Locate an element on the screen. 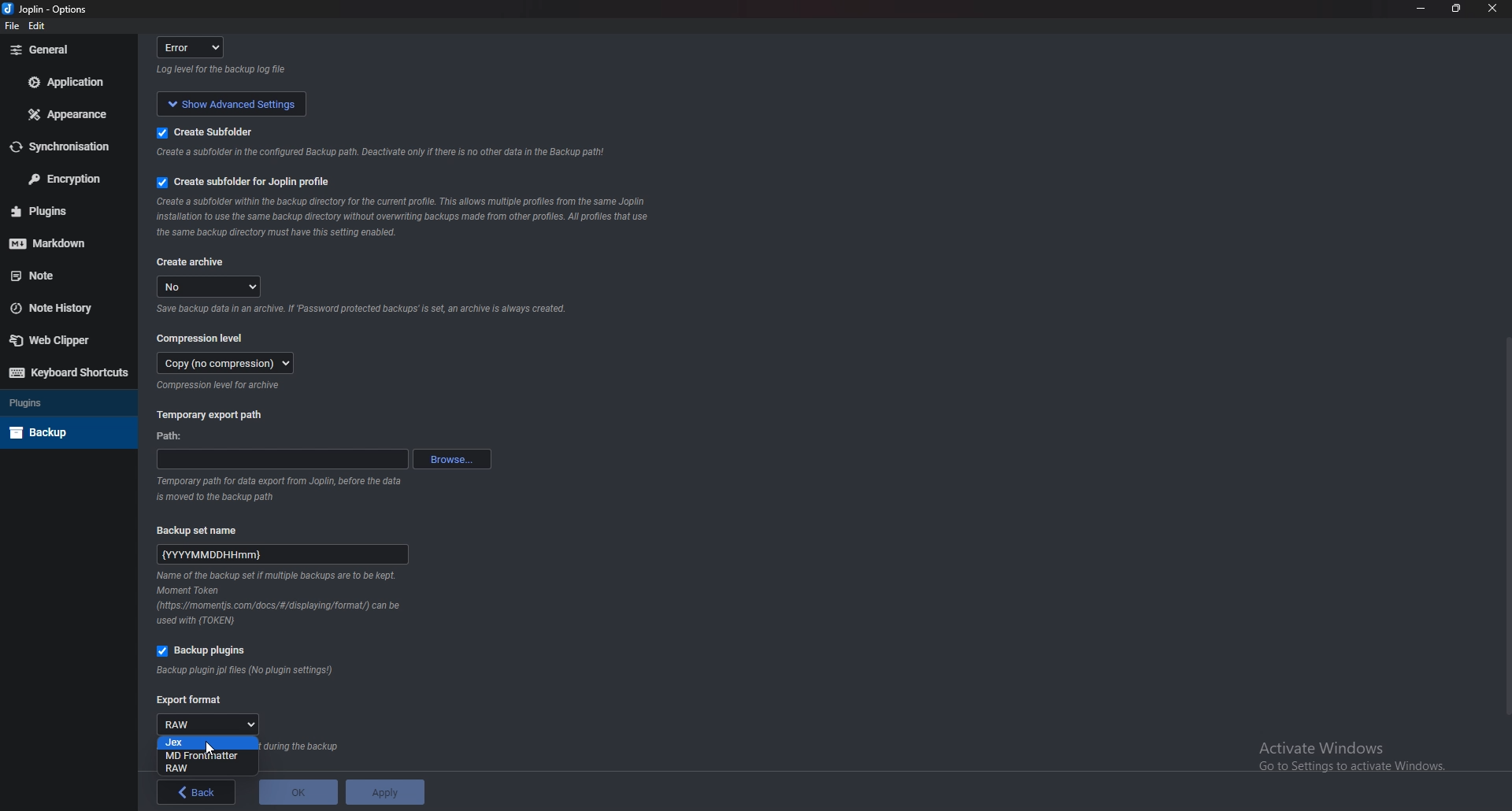 Image resolution: width=1512 pixels, height=811 pixels. create subfolder is located at coordinates (226, 131).